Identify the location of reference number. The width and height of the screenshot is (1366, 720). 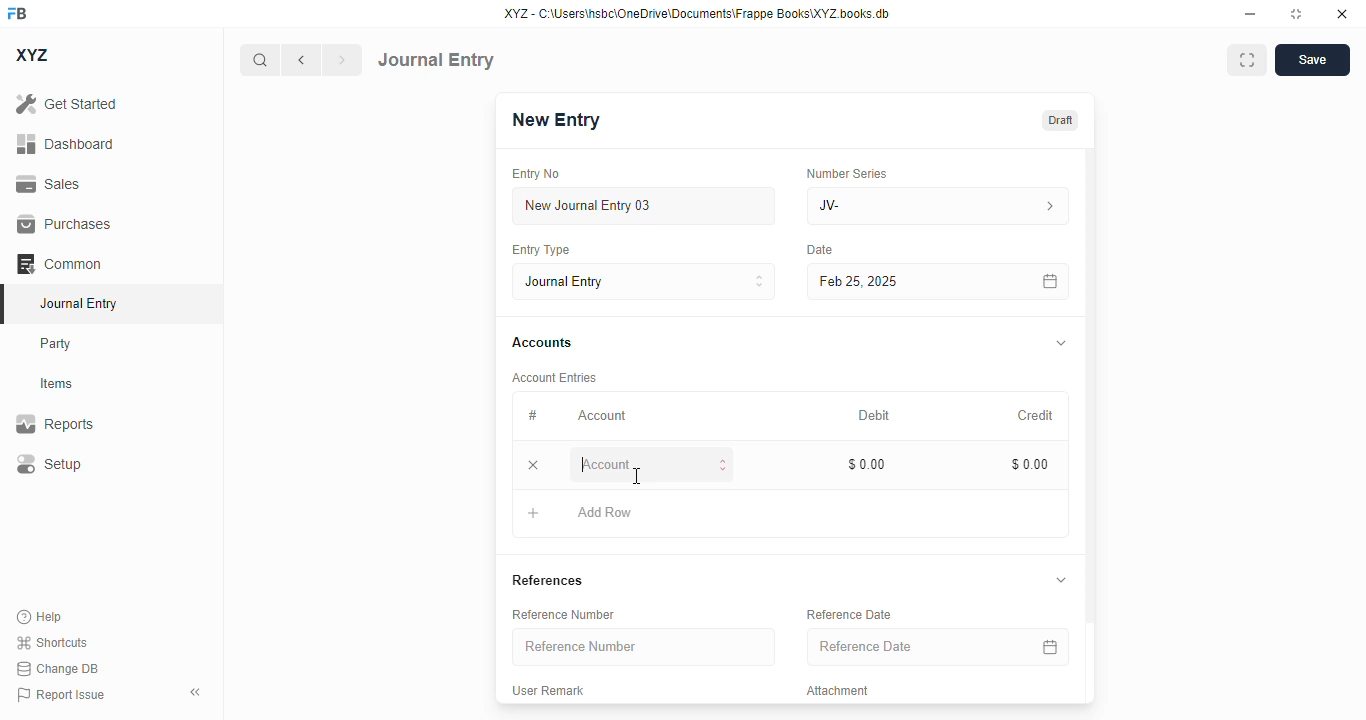
(643, 646).